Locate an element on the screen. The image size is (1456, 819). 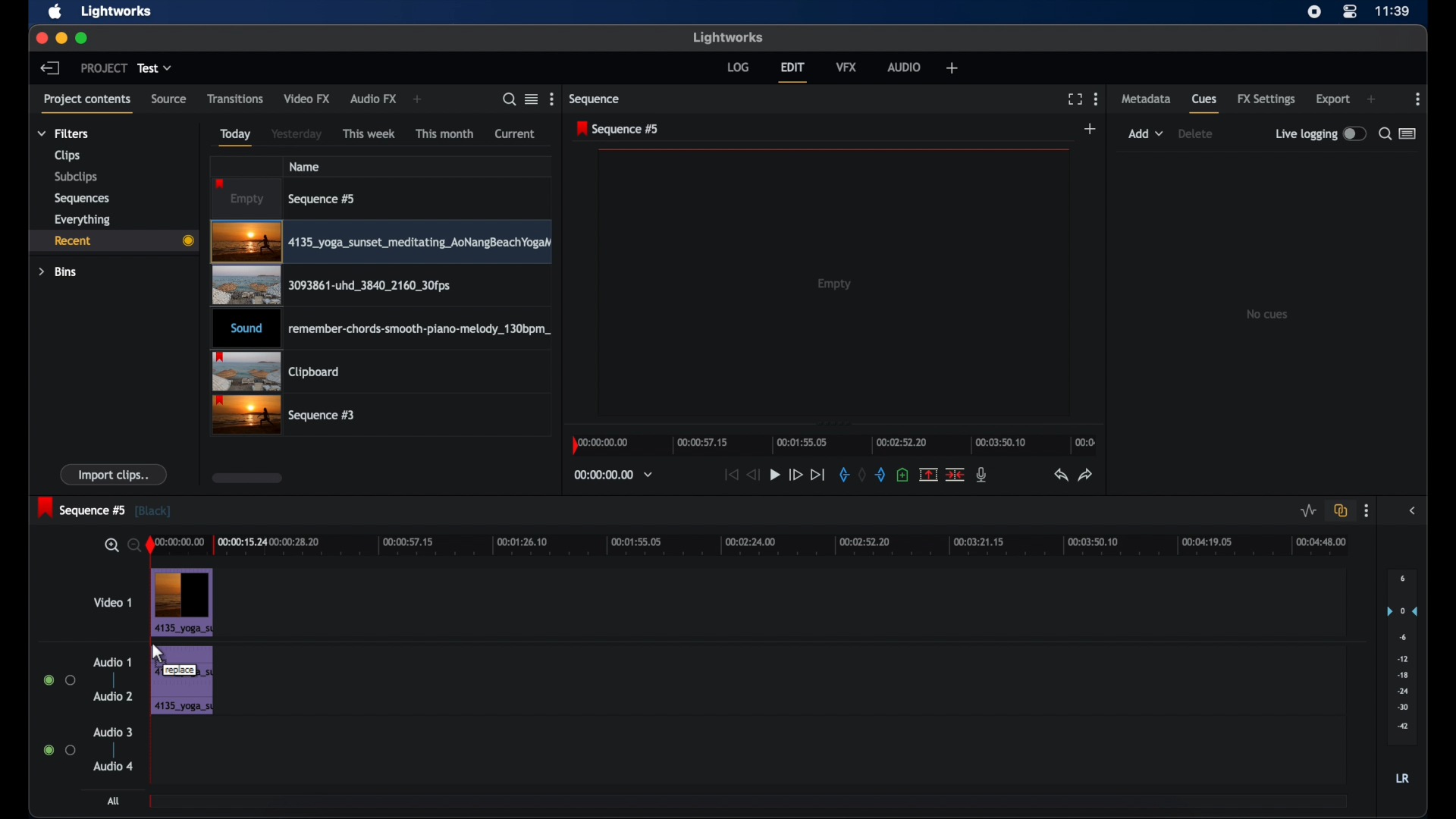
scroll box is located at coordinates (246, 478).